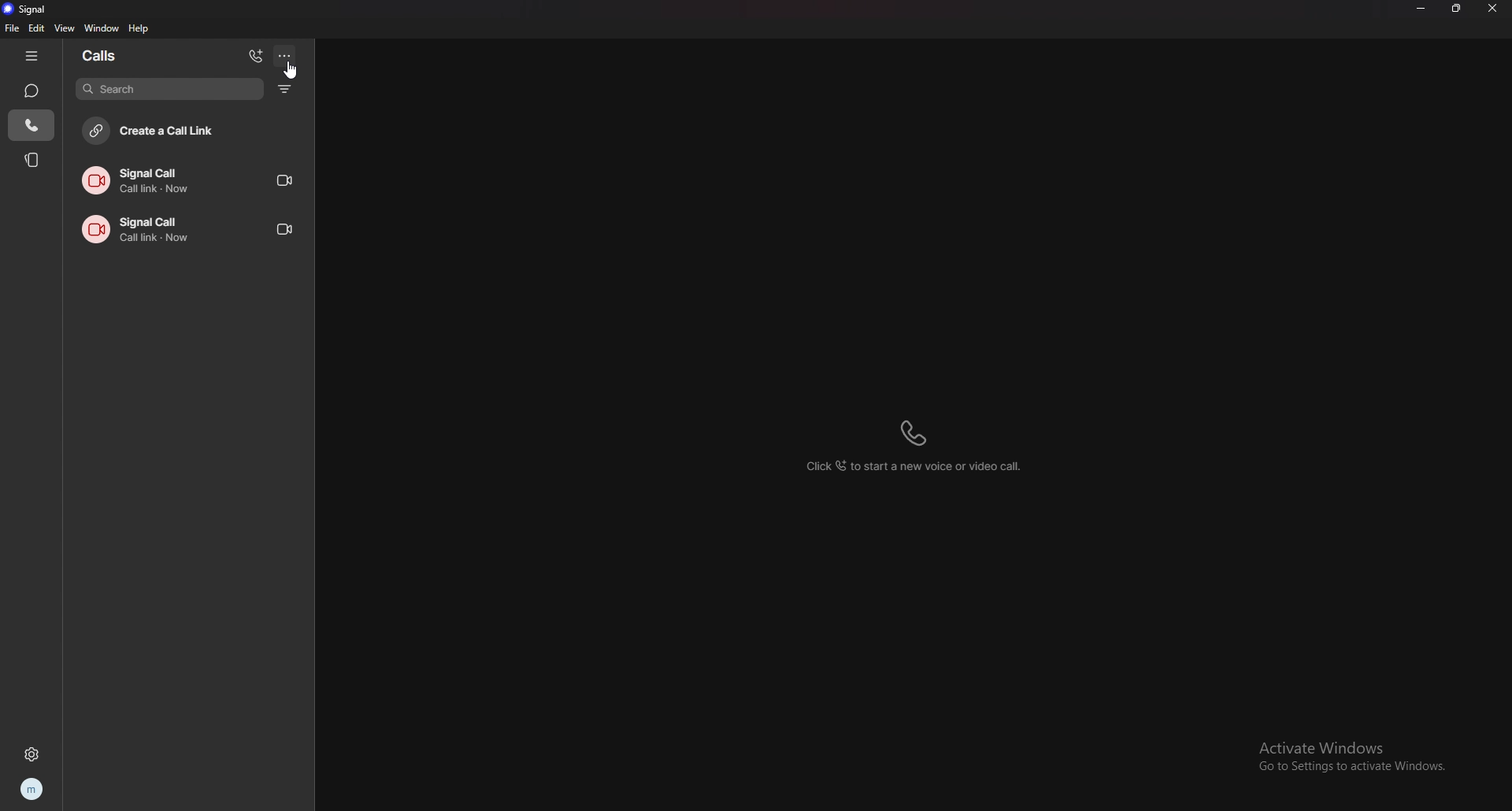 This screenshot has width=1512, height=811. I want to click on chats, so click(32, 91).